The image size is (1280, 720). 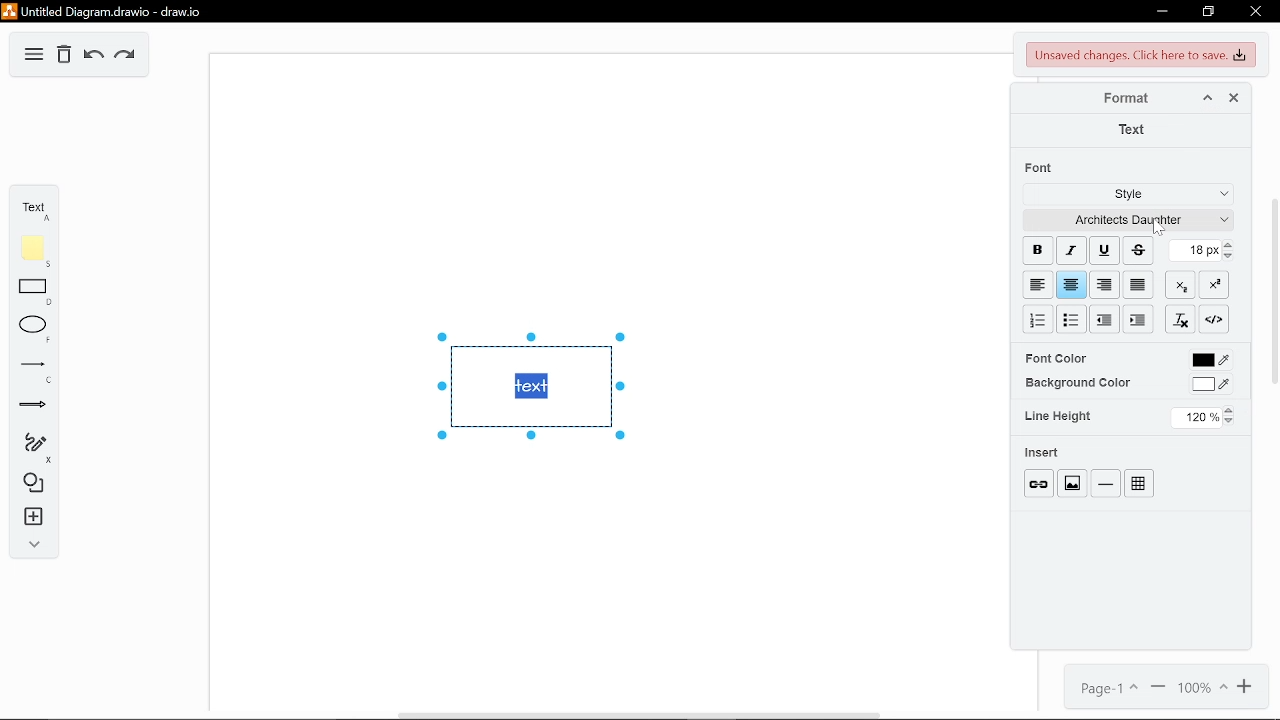 I want to click on text, so click(x=32, y=207).